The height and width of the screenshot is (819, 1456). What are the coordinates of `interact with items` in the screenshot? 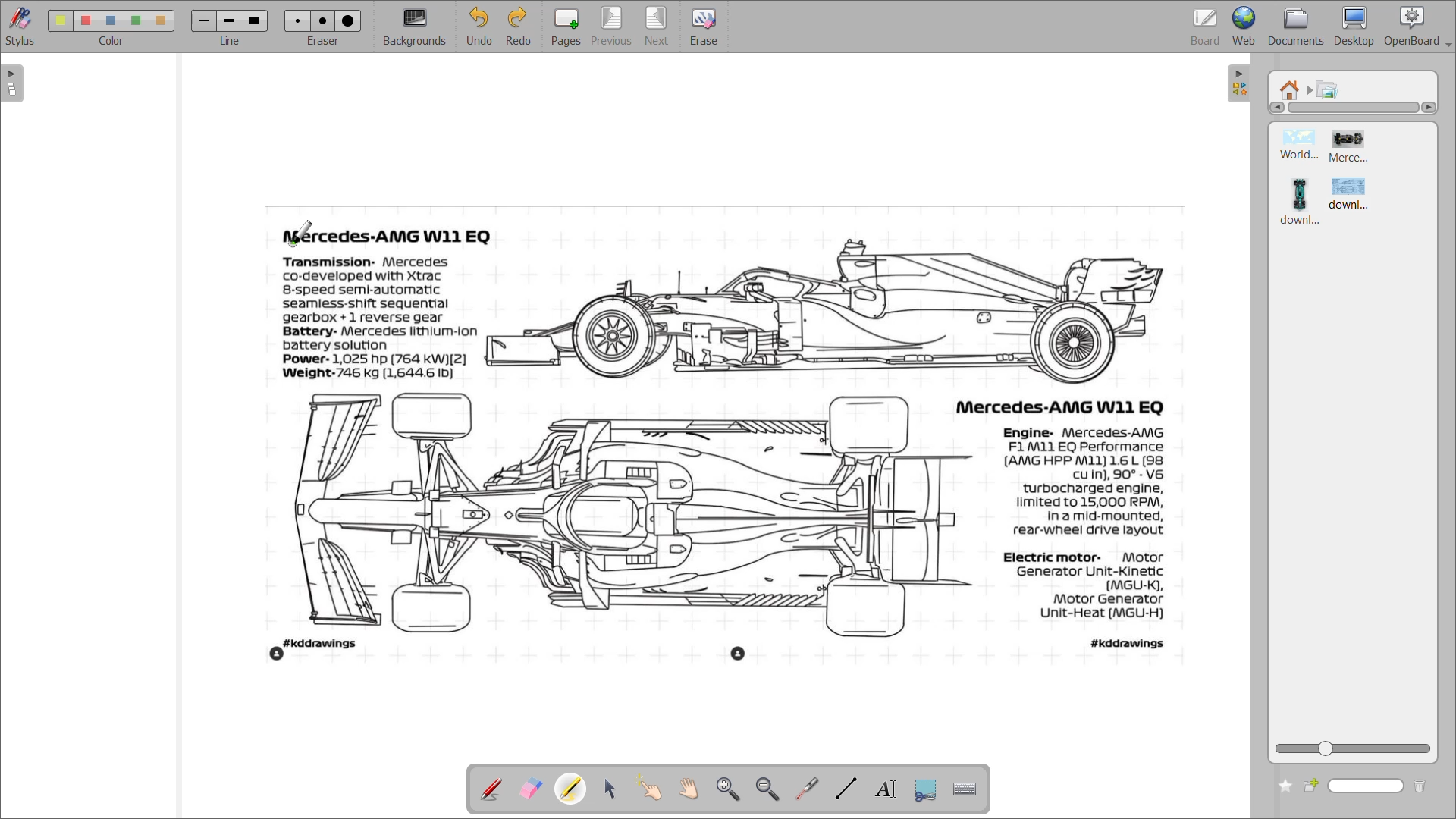 It's located at (654, 789).